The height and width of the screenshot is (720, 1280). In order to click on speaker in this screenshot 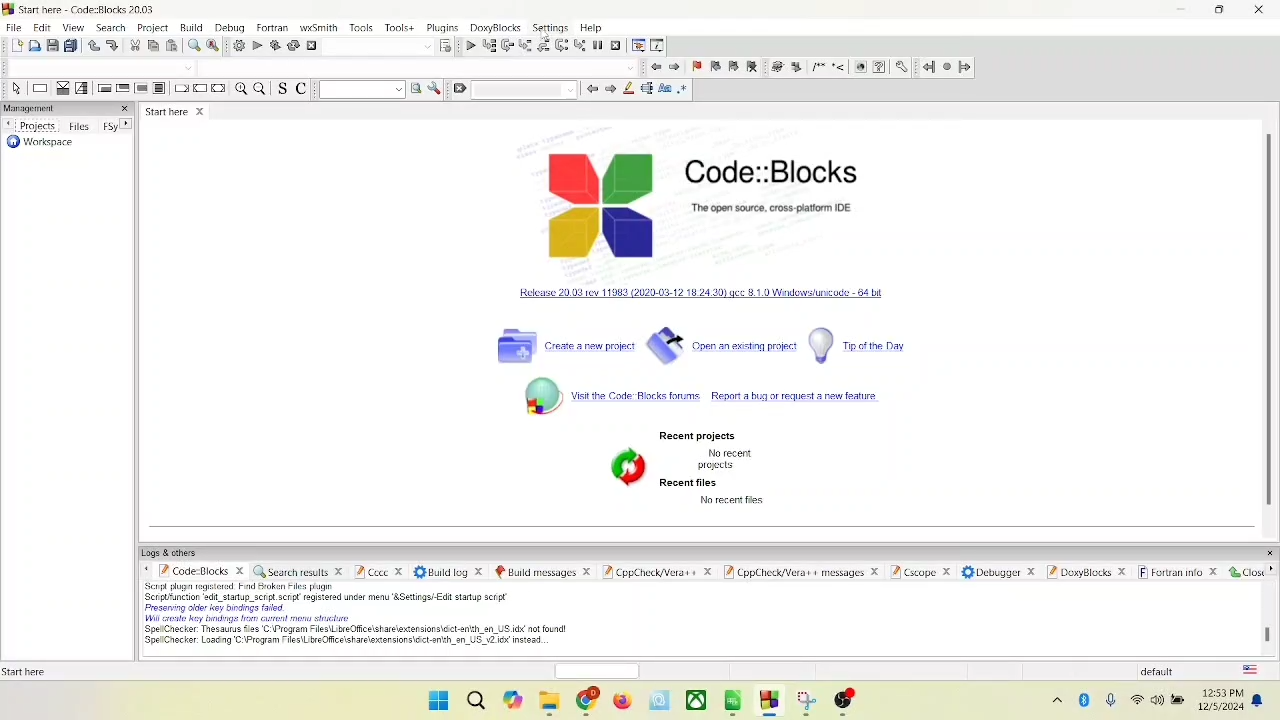, I will do `click(1157, 700)`.